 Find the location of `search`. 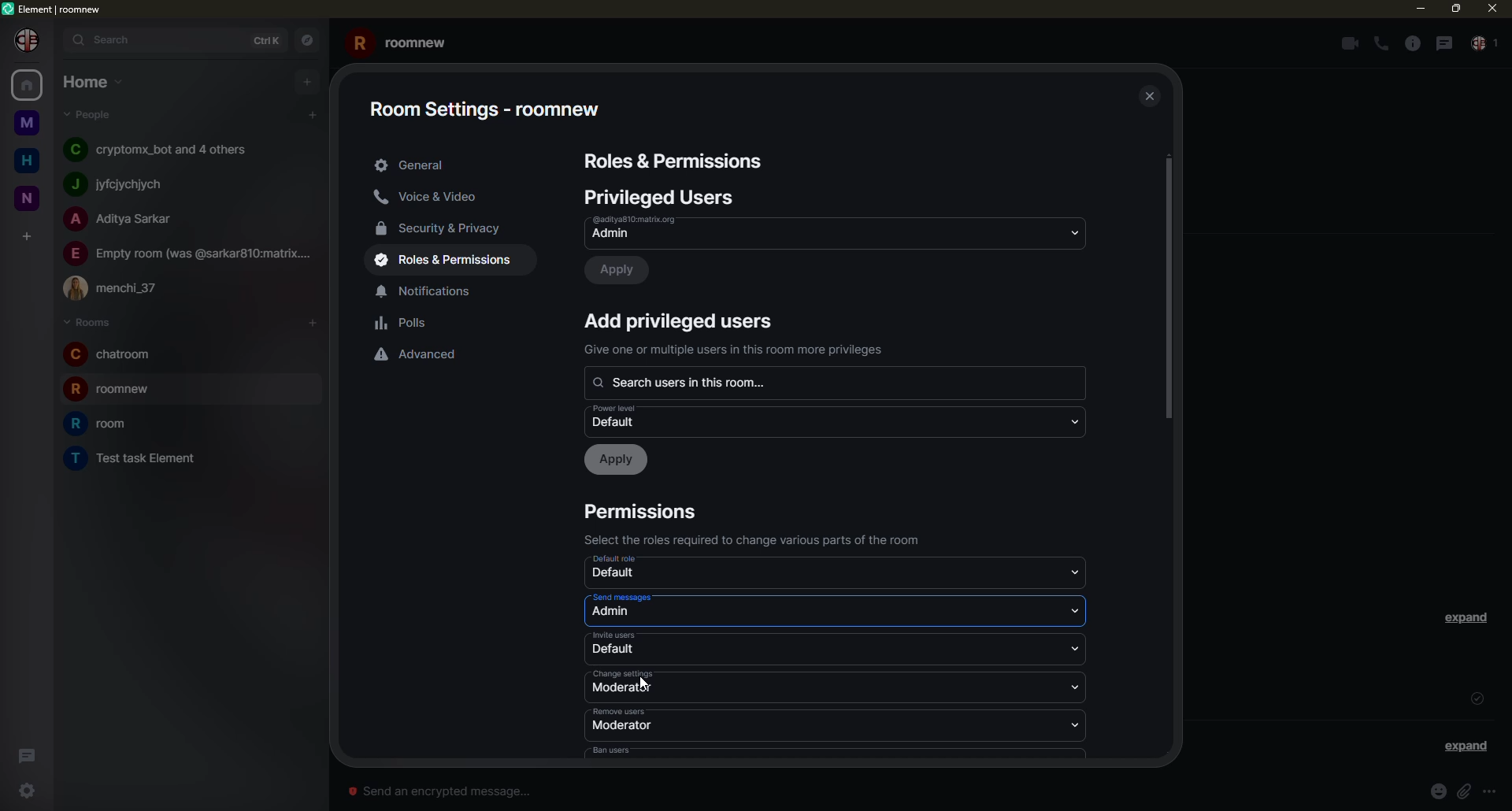

search is located at coordinates (691, 382).